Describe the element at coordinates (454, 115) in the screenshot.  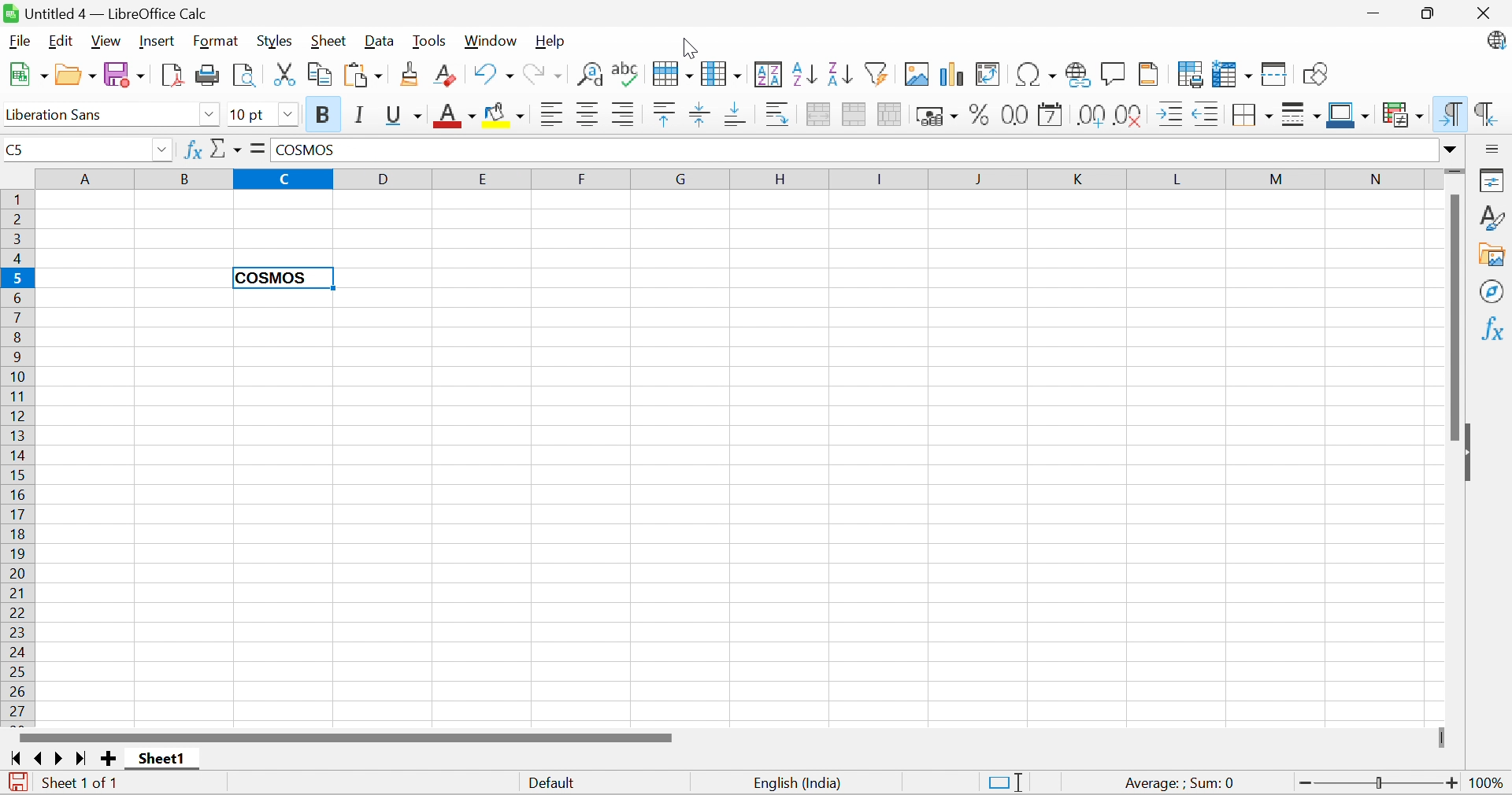
I see `Font Color` at that location.